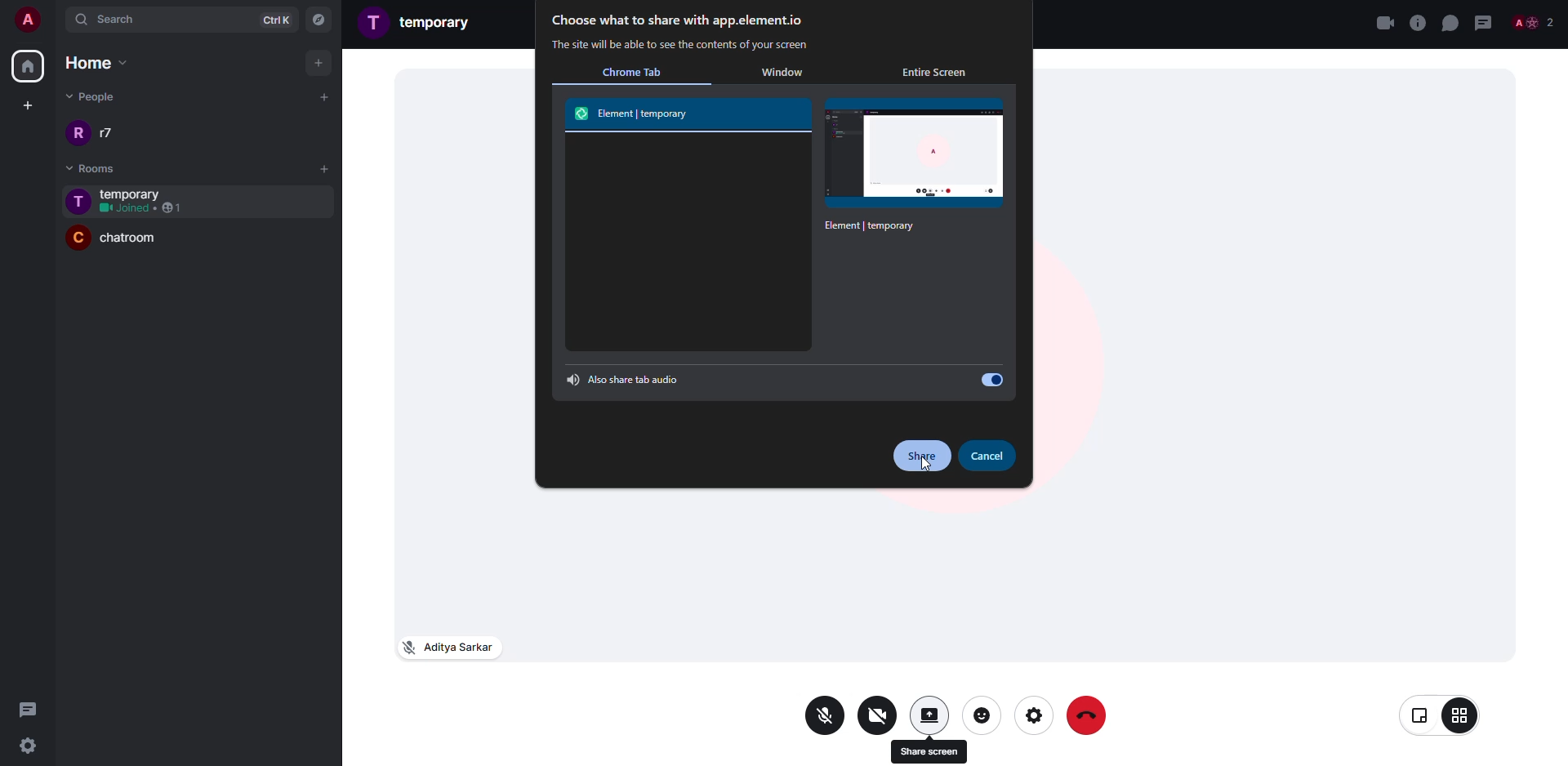  I want to click on cursor, so click(925, 465).